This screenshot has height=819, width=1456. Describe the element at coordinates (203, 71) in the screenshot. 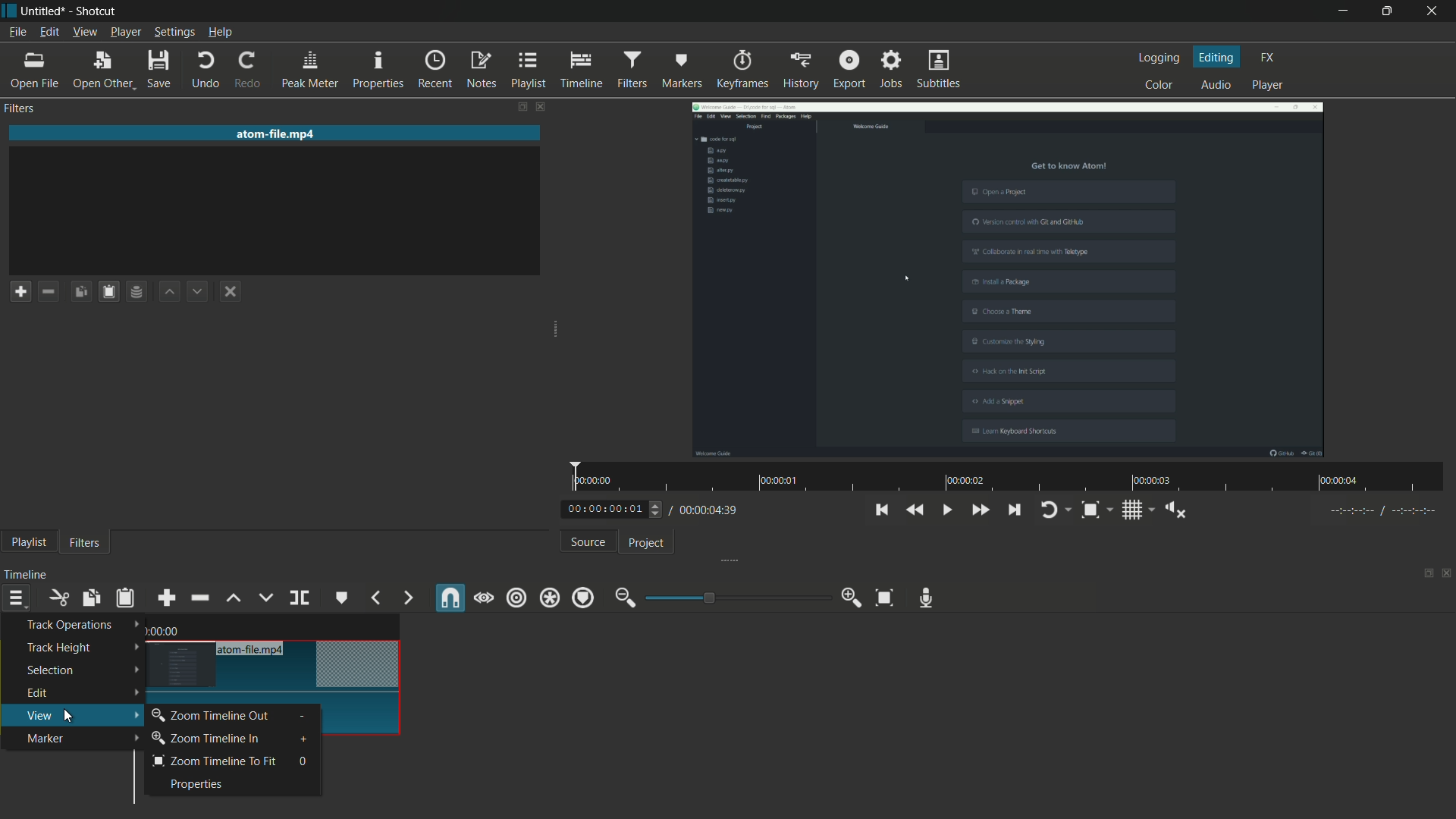

I see `undo` at that location.